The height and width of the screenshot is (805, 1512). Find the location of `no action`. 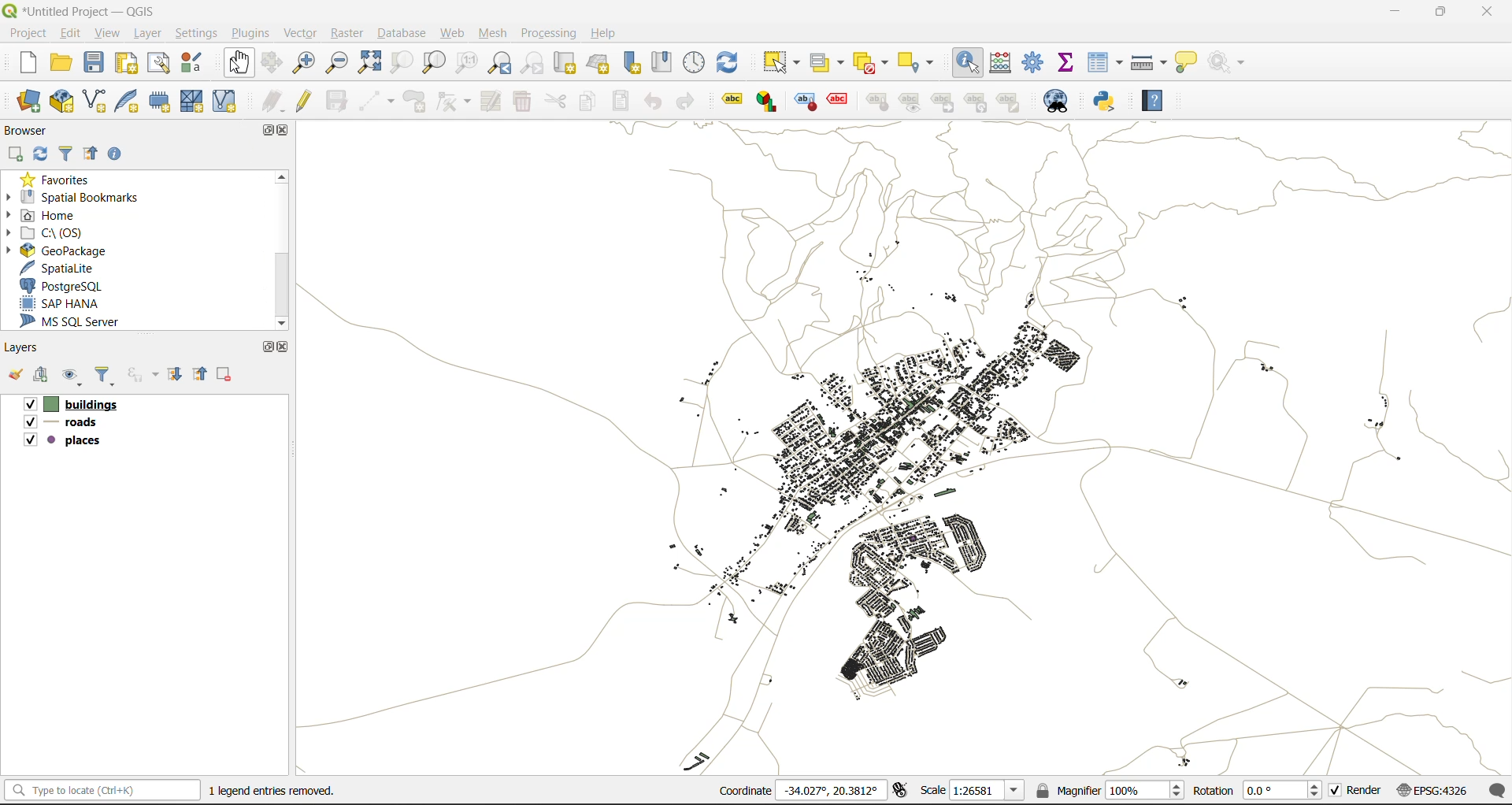

no action is located at coordinates (1225, 63).